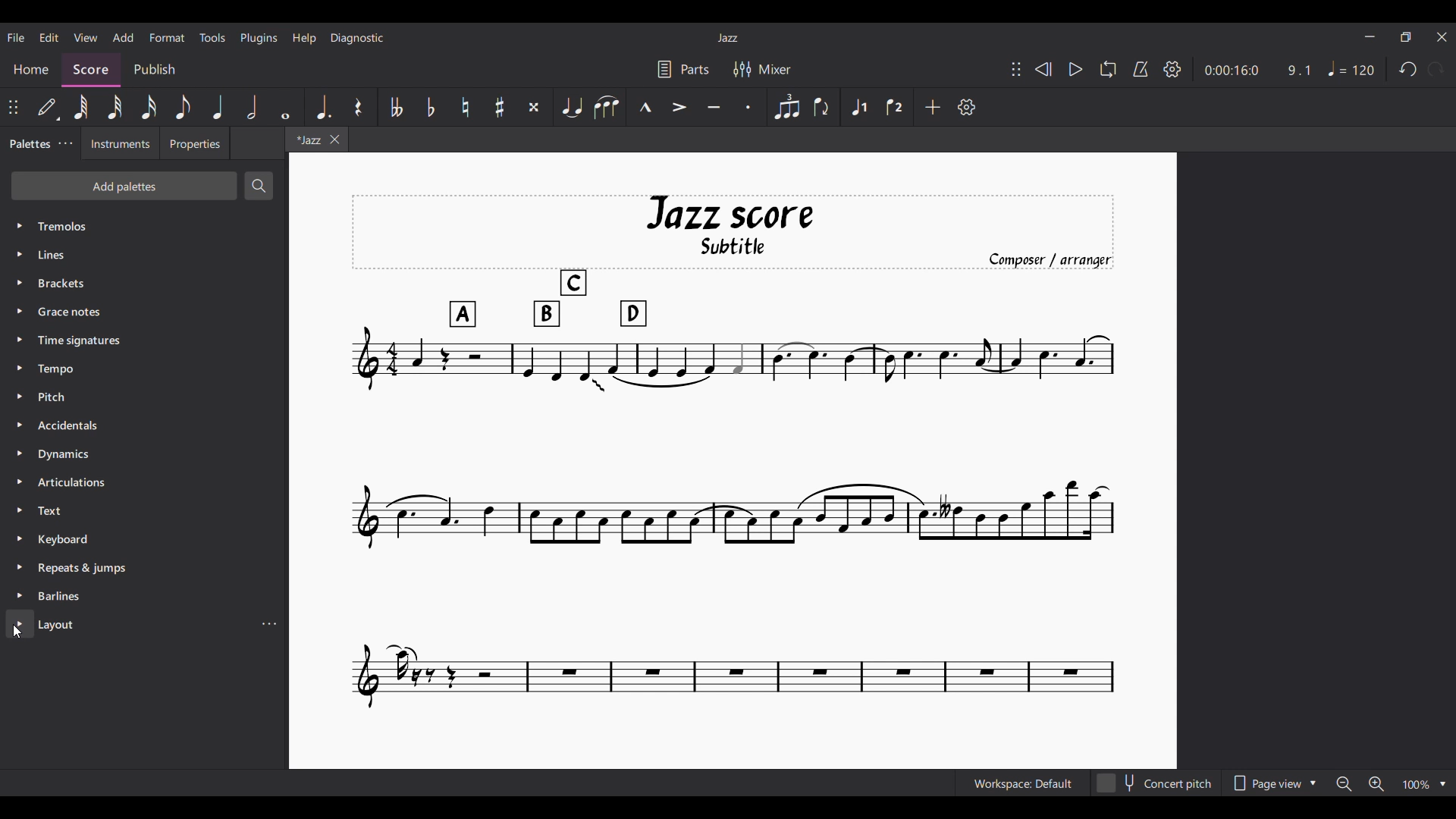 The height and width of the screenshot is (819, 1456). Describe the element at coordinates (733, 452) in the screenshot. I see `Current score` at that location.